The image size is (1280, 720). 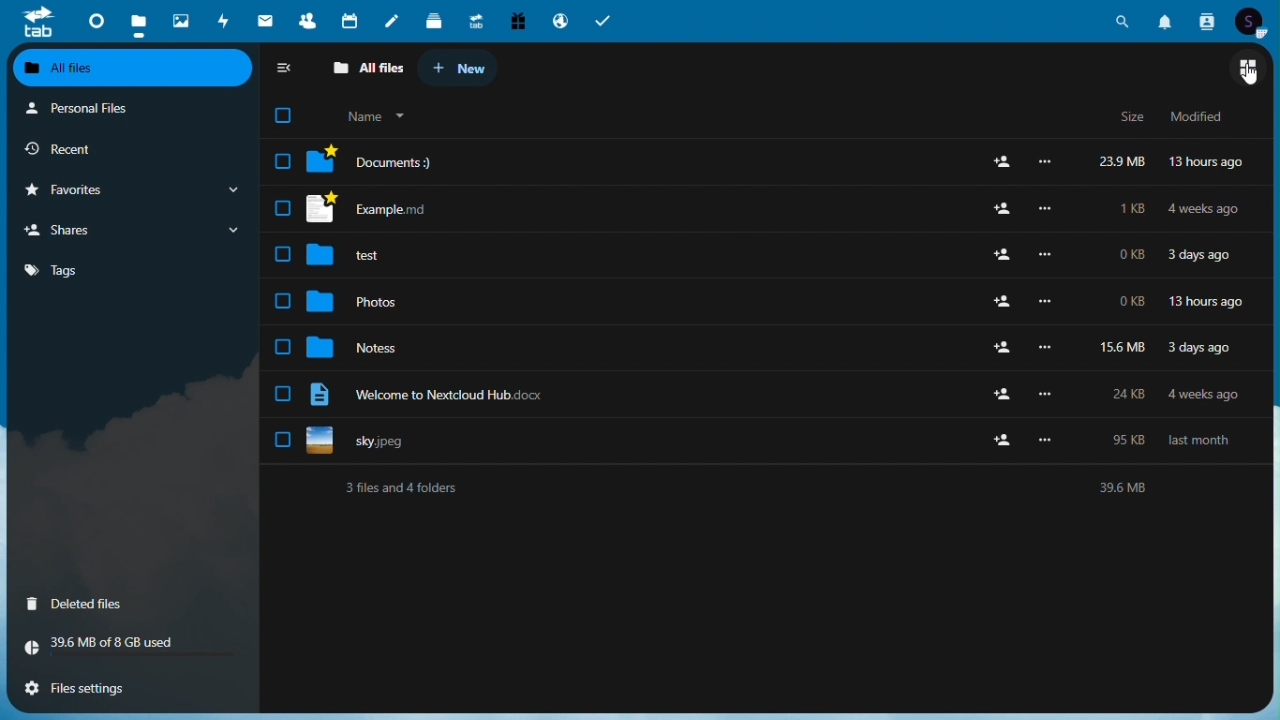 What do you see at coordinates (1127, 19) in the screenshot?
I see `Search` at bounding box center [1127, 19].